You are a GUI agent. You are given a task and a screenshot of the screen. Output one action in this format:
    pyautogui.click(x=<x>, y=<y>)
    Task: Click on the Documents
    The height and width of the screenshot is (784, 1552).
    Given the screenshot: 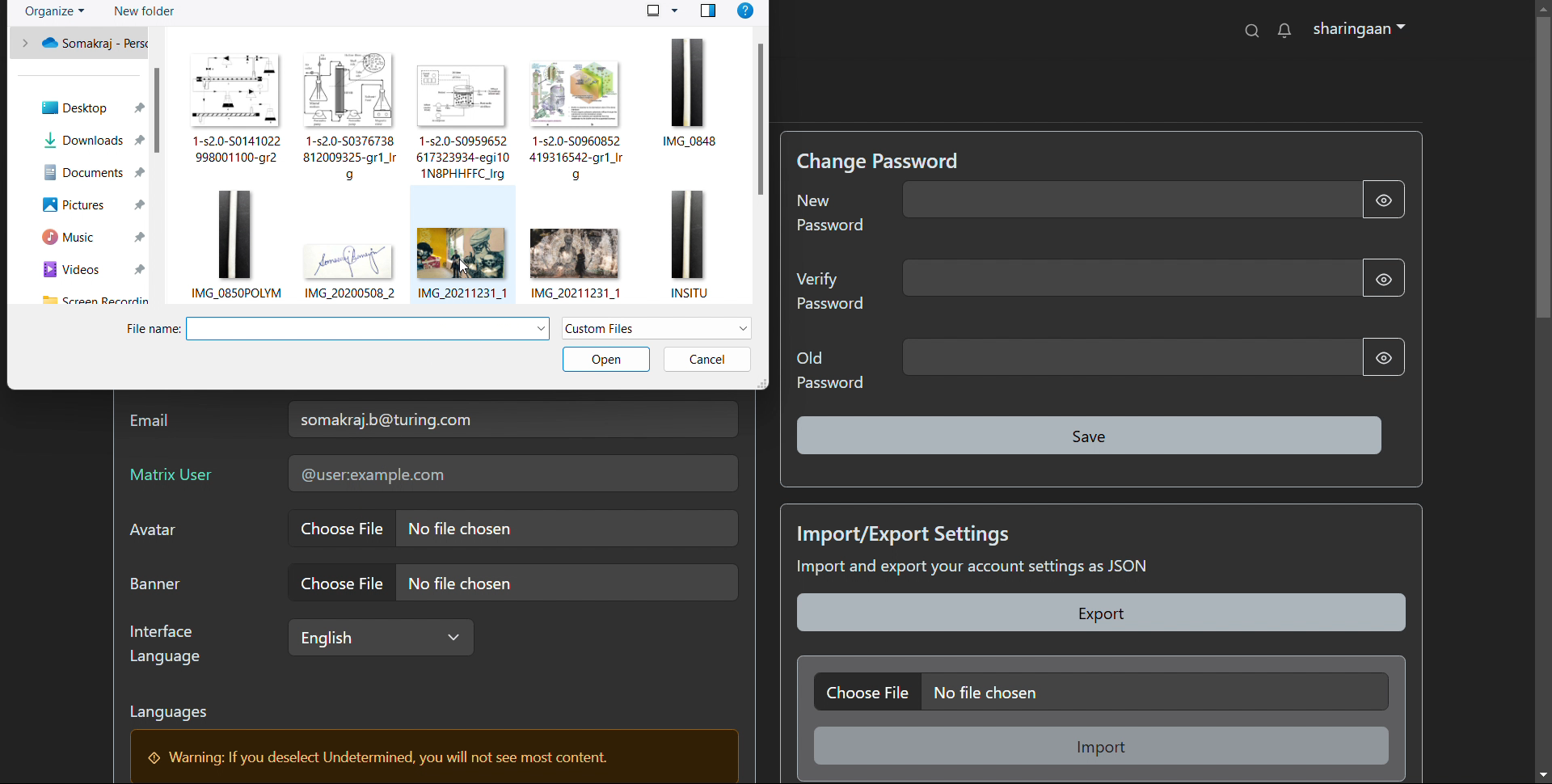 What is the action you would take?
    pyautogui.click(x=94, y=171)
    